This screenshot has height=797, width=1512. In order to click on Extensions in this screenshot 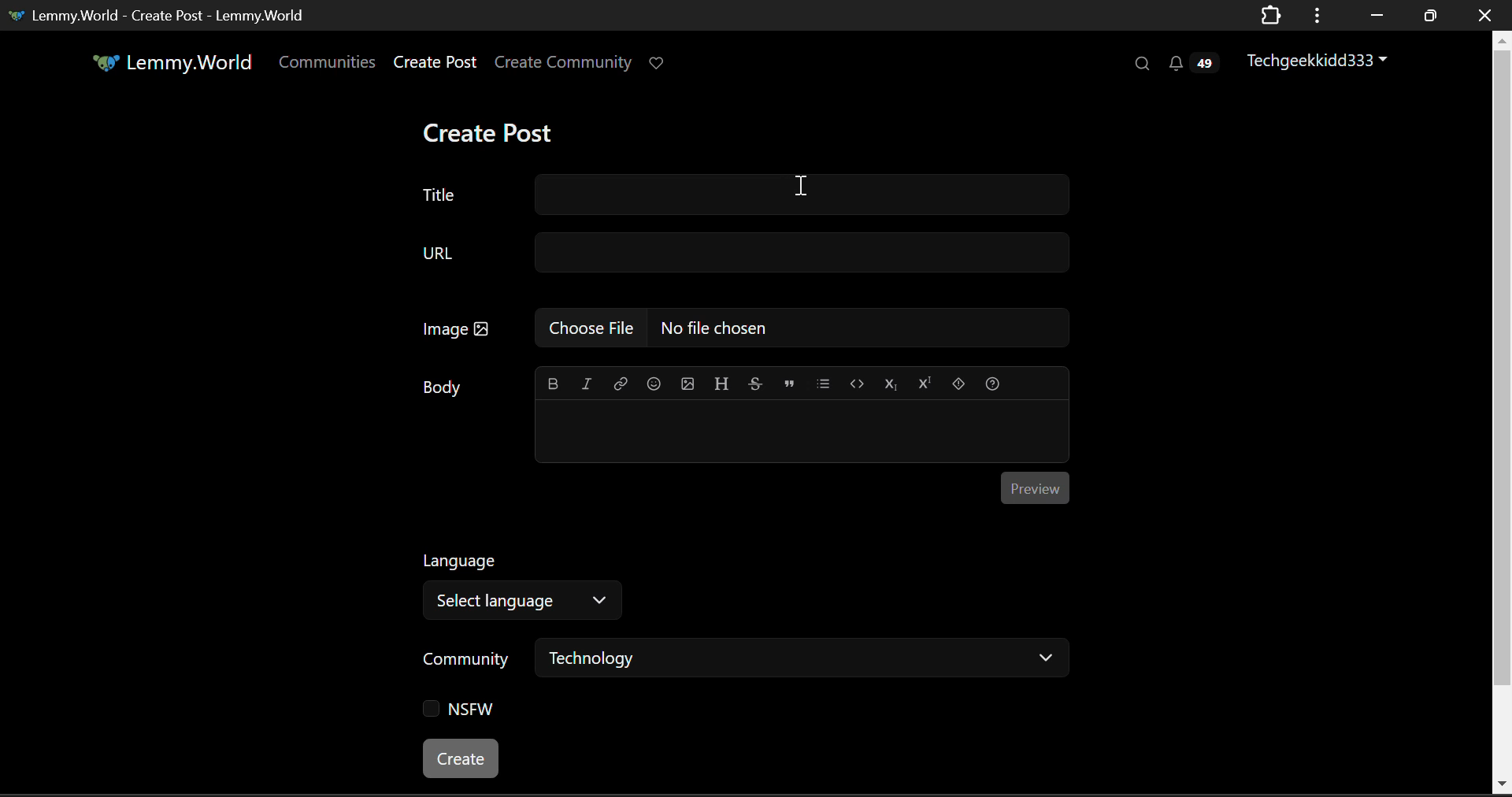, I will do `click(1271, 17)`.